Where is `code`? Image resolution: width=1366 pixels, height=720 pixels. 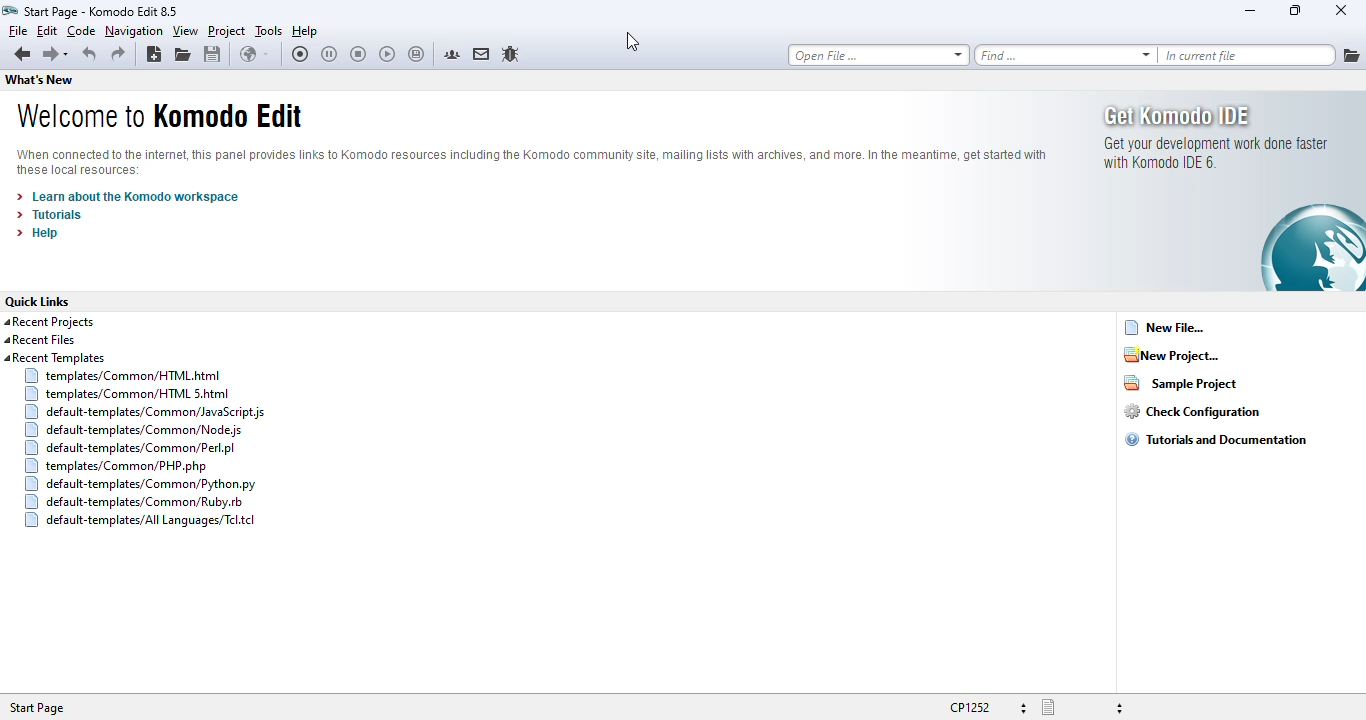 code is located at coordinates (81, 31).